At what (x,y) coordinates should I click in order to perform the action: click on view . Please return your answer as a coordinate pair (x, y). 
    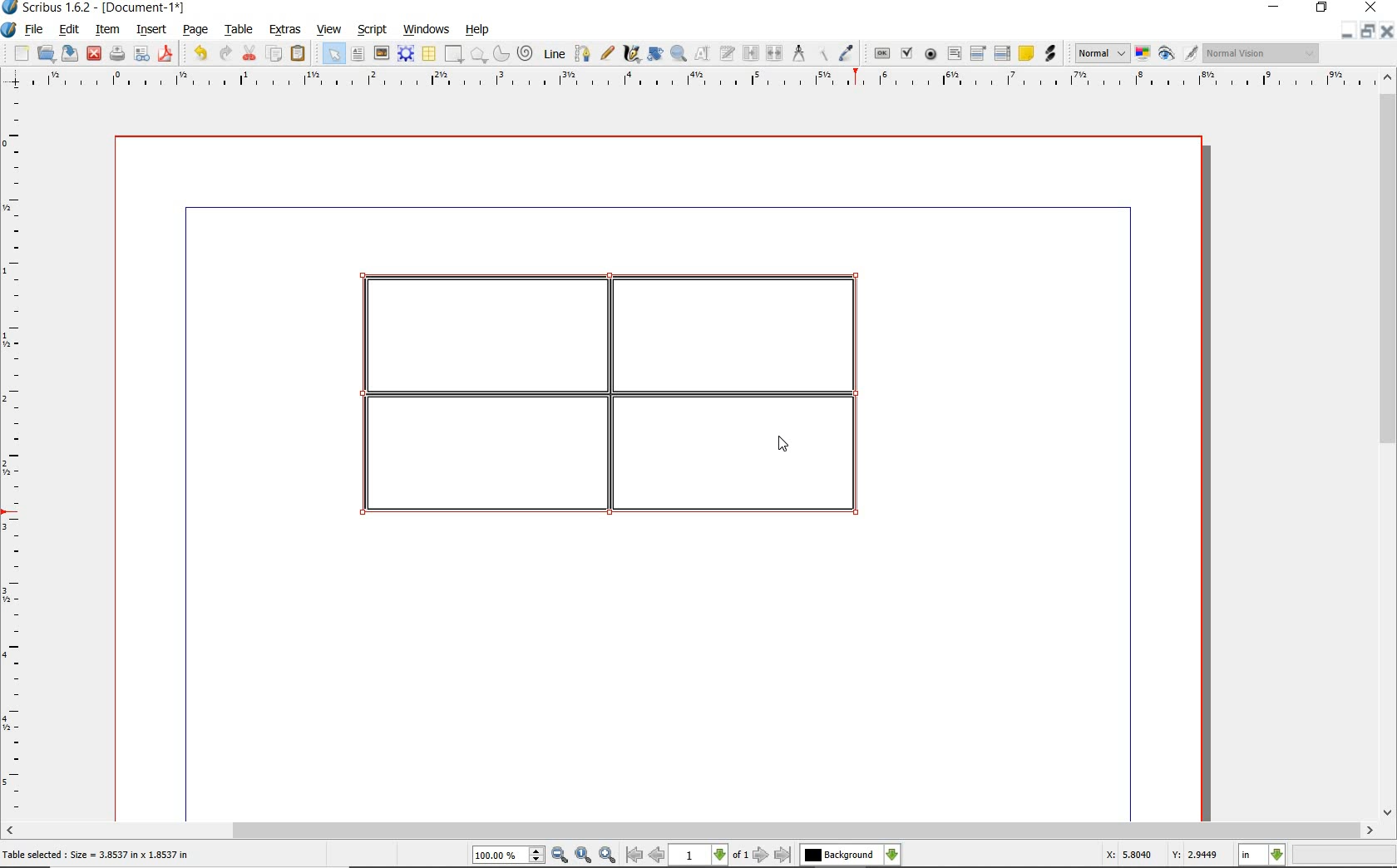
    Looking at the image, I should click on (332, 30).